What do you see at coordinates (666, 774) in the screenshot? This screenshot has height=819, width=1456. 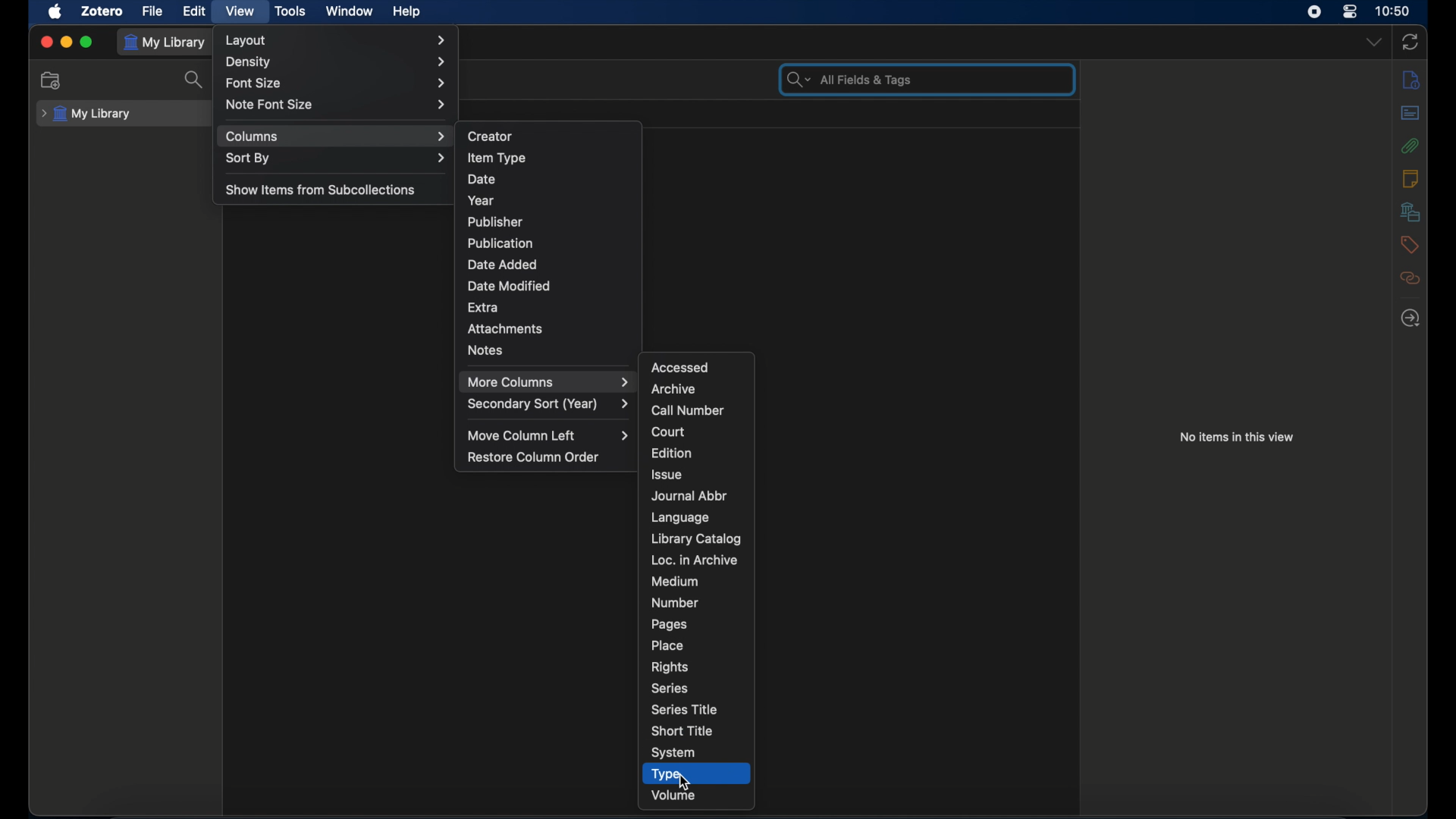 I see `type` at bounding box center [666, 774].